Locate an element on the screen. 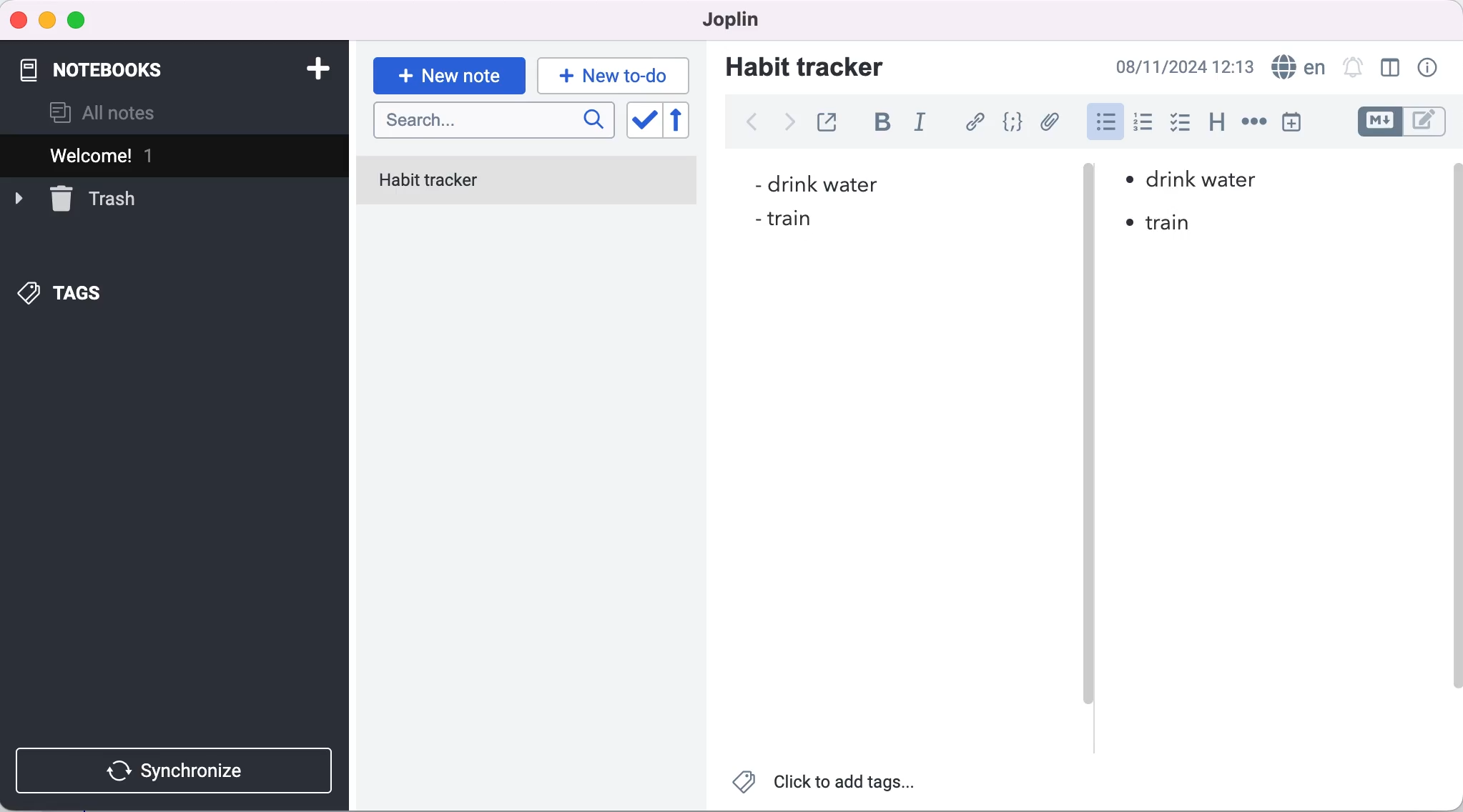 Image resolution: width=1463 pixels, height=812 pixels. language is located at coordinates (1296, 67).